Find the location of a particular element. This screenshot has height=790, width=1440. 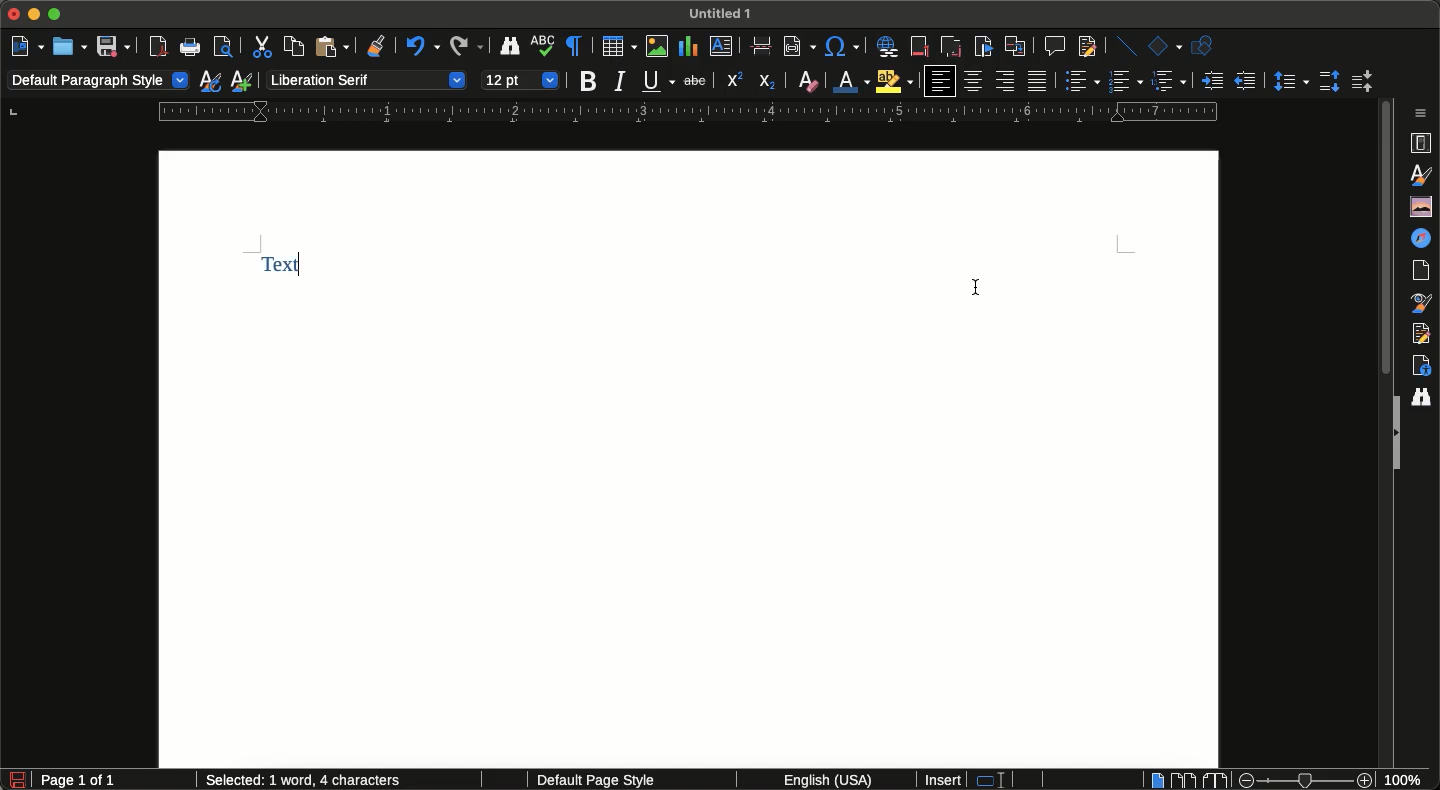

Select outline format is located at coordinates (1169, 82).